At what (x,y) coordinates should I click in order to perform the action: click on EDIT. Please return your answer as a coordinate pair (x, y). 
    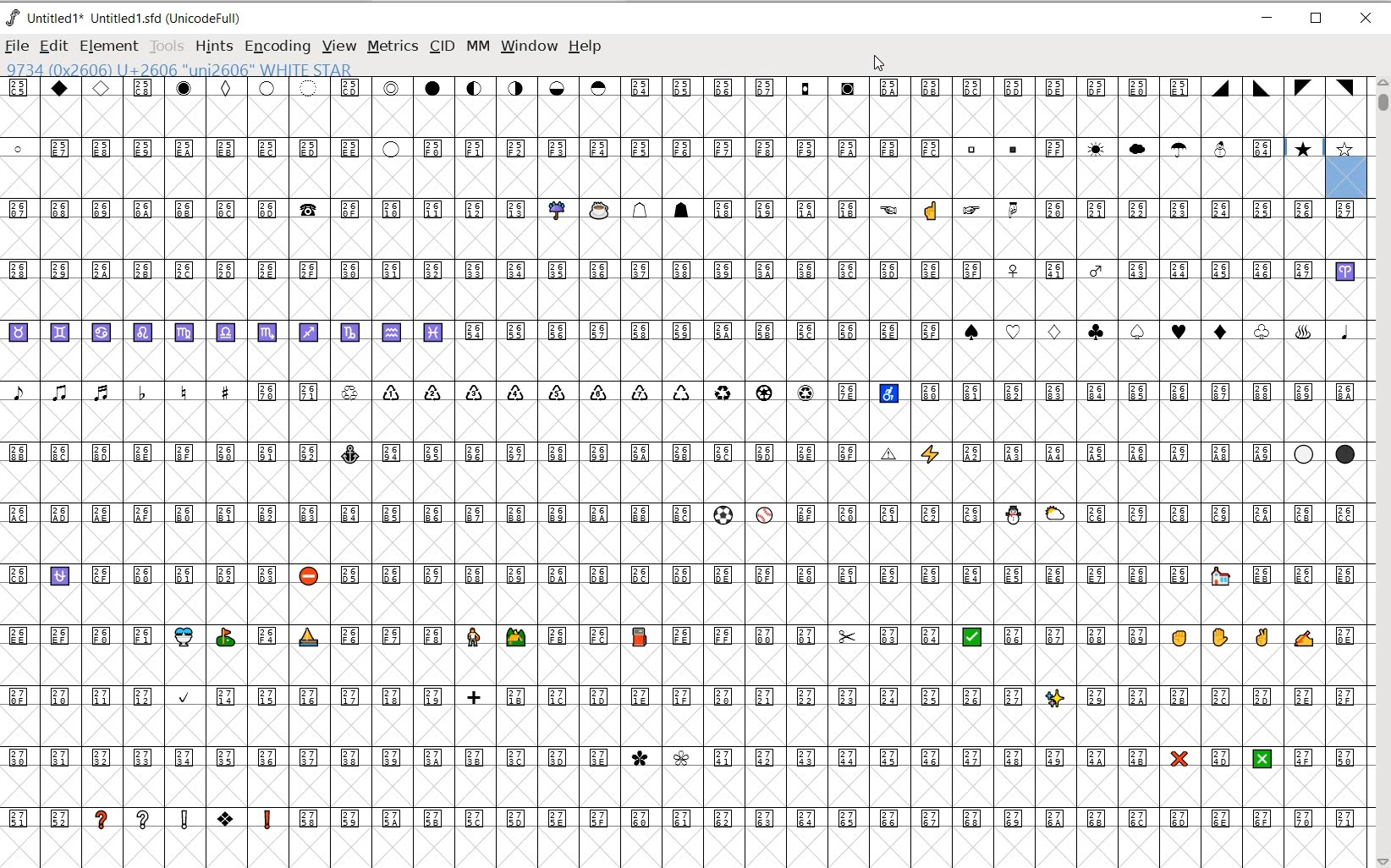
    Looking at the image, I should click on (52, 47).